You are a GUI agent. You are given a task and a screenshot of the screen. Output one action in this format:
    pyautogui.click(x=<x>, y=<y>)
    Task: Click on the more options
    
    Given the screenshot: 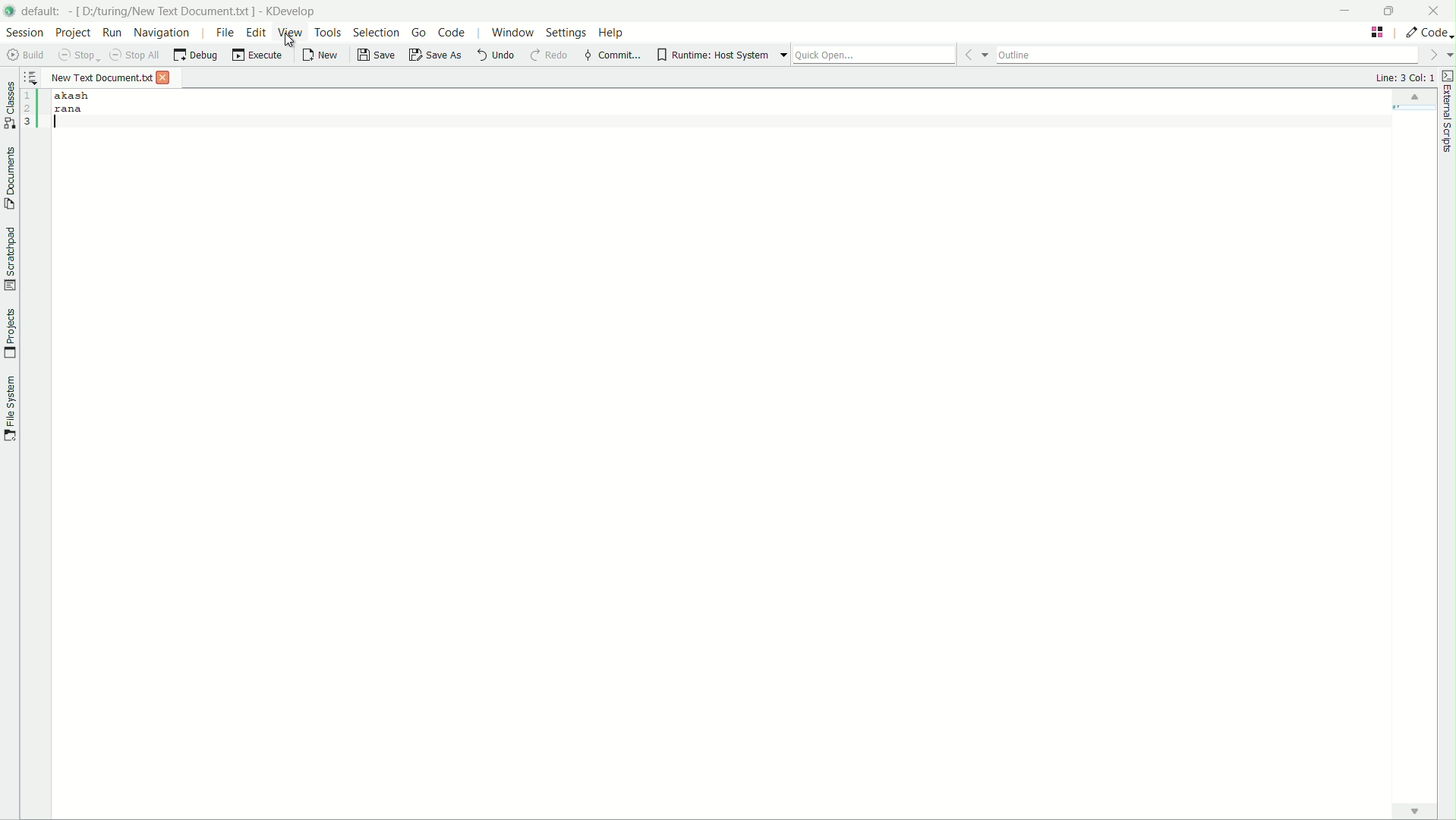 What is the action you would take?
    pyautogui.click(x=774, y=55)
    